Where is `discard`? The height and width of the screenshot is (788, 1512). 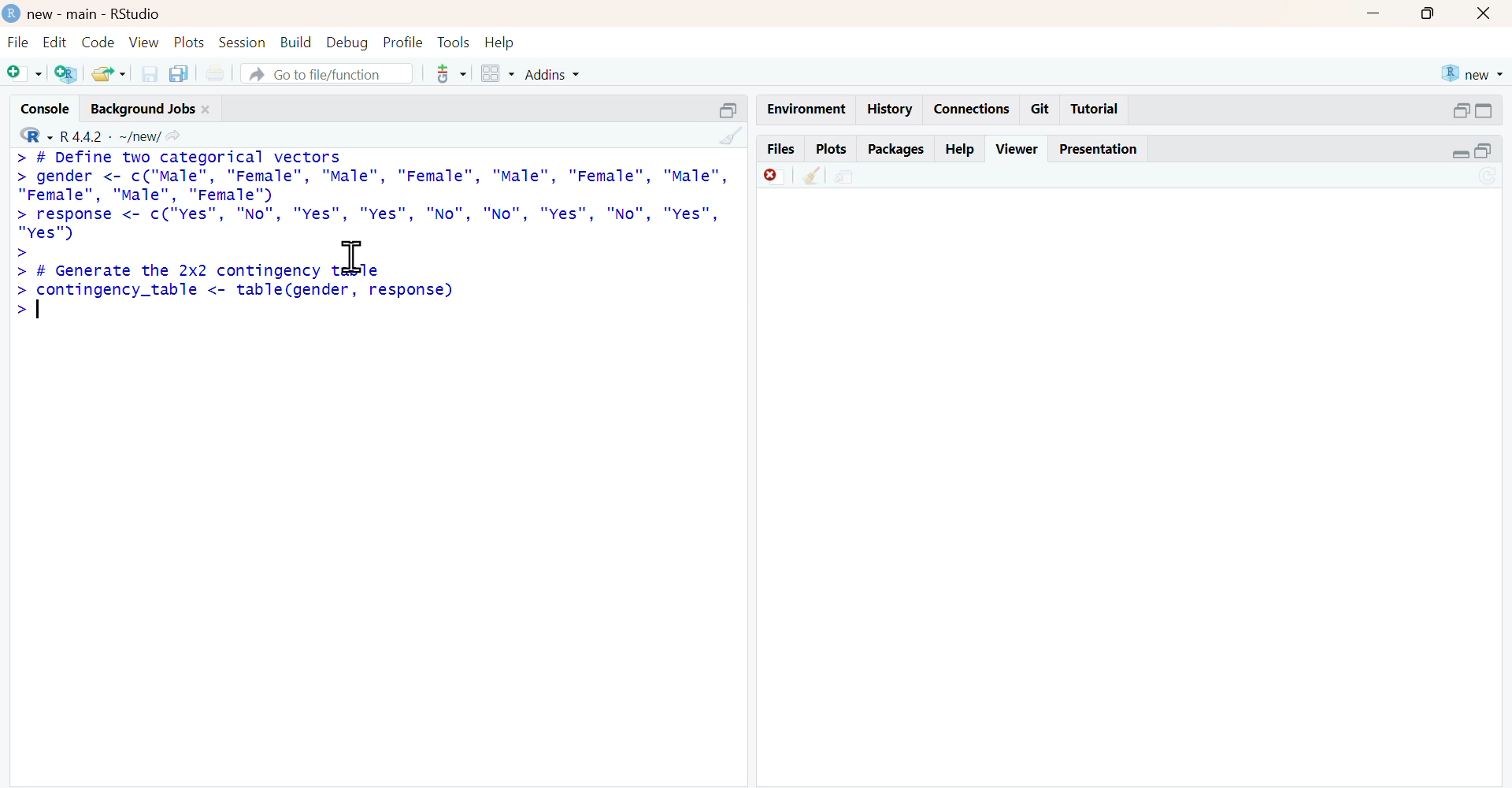
discard is located at coordinates (775, 177).